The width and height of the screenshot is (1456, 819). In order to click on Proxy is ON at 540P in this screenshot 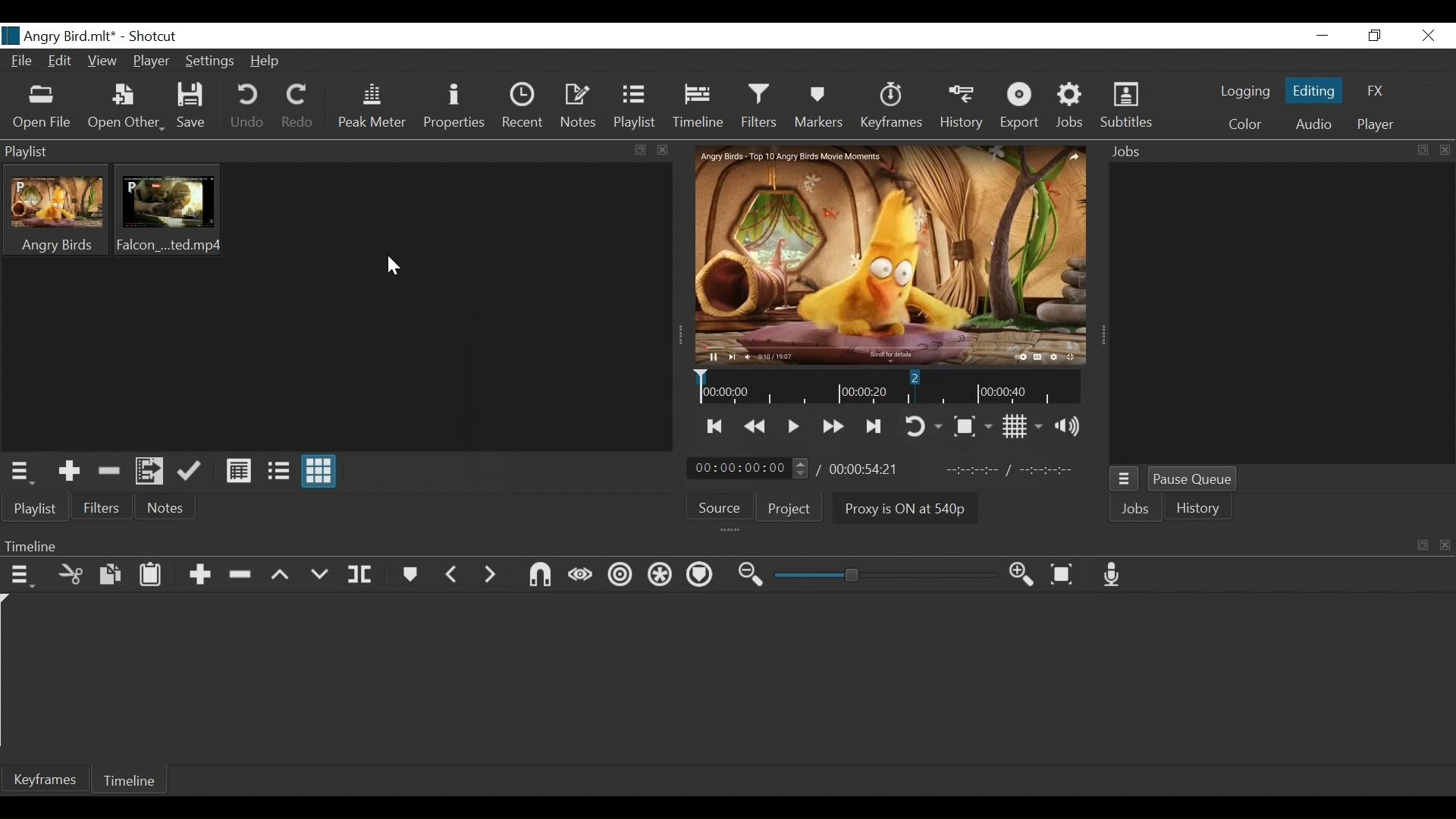, I will do `click(906, 510)`.